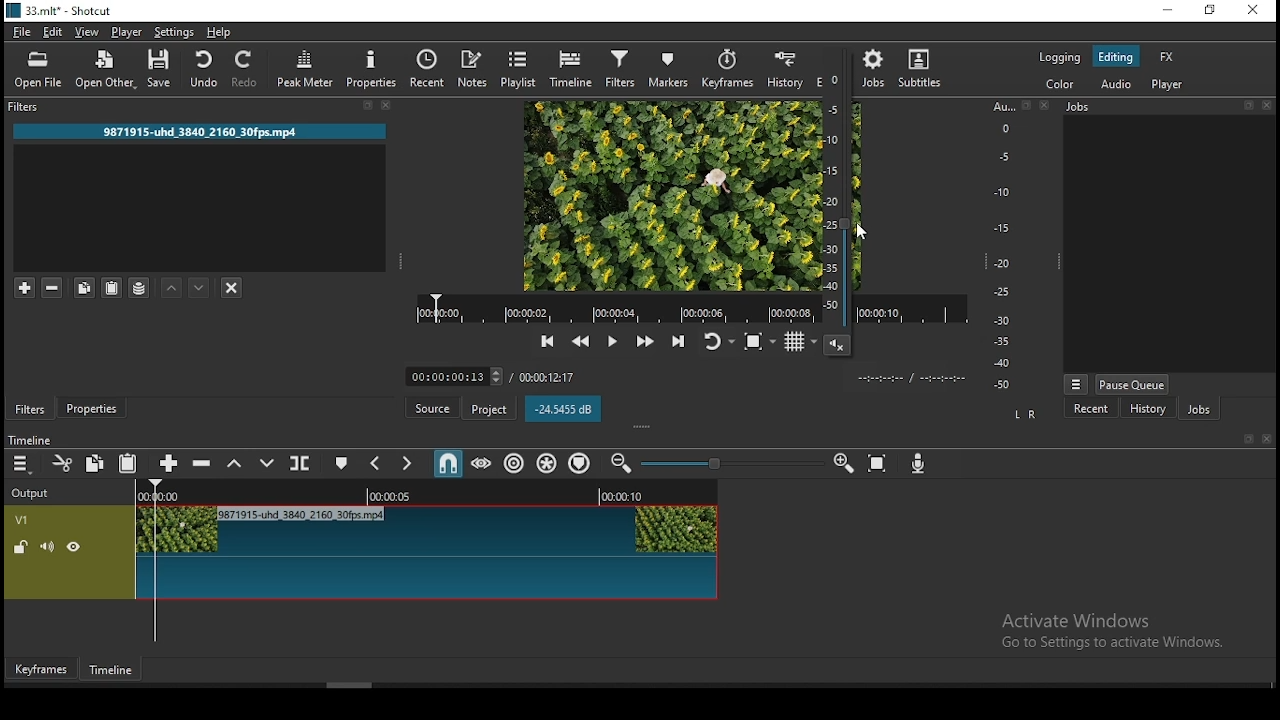 The height and width of the screenshot is (720, 1280). What do you see at coordinates (621, 70) in the screenshot?
I see `filters` at bounding box center [621, 70].